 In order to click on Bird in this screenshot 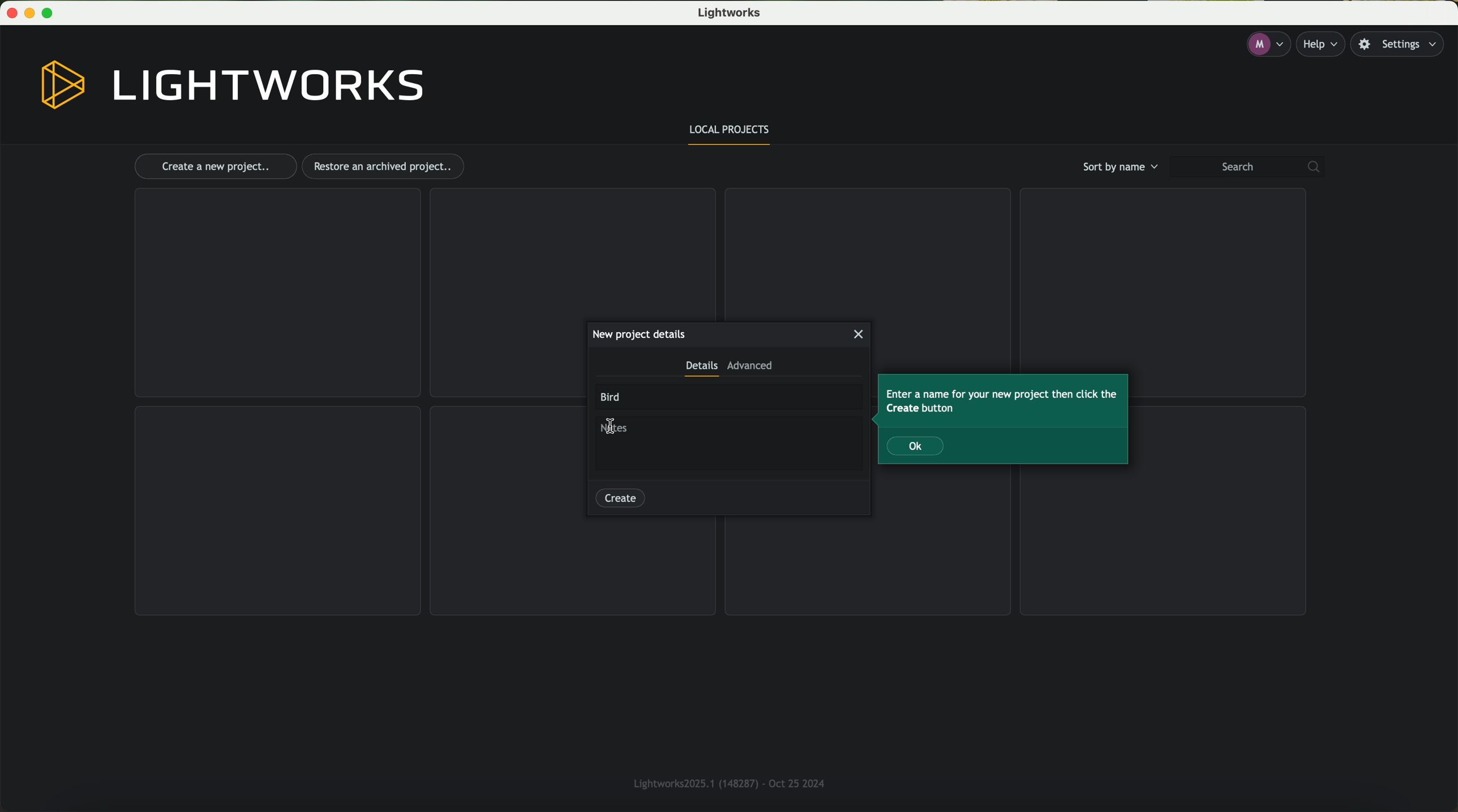, I will do `click(612, 397)`.